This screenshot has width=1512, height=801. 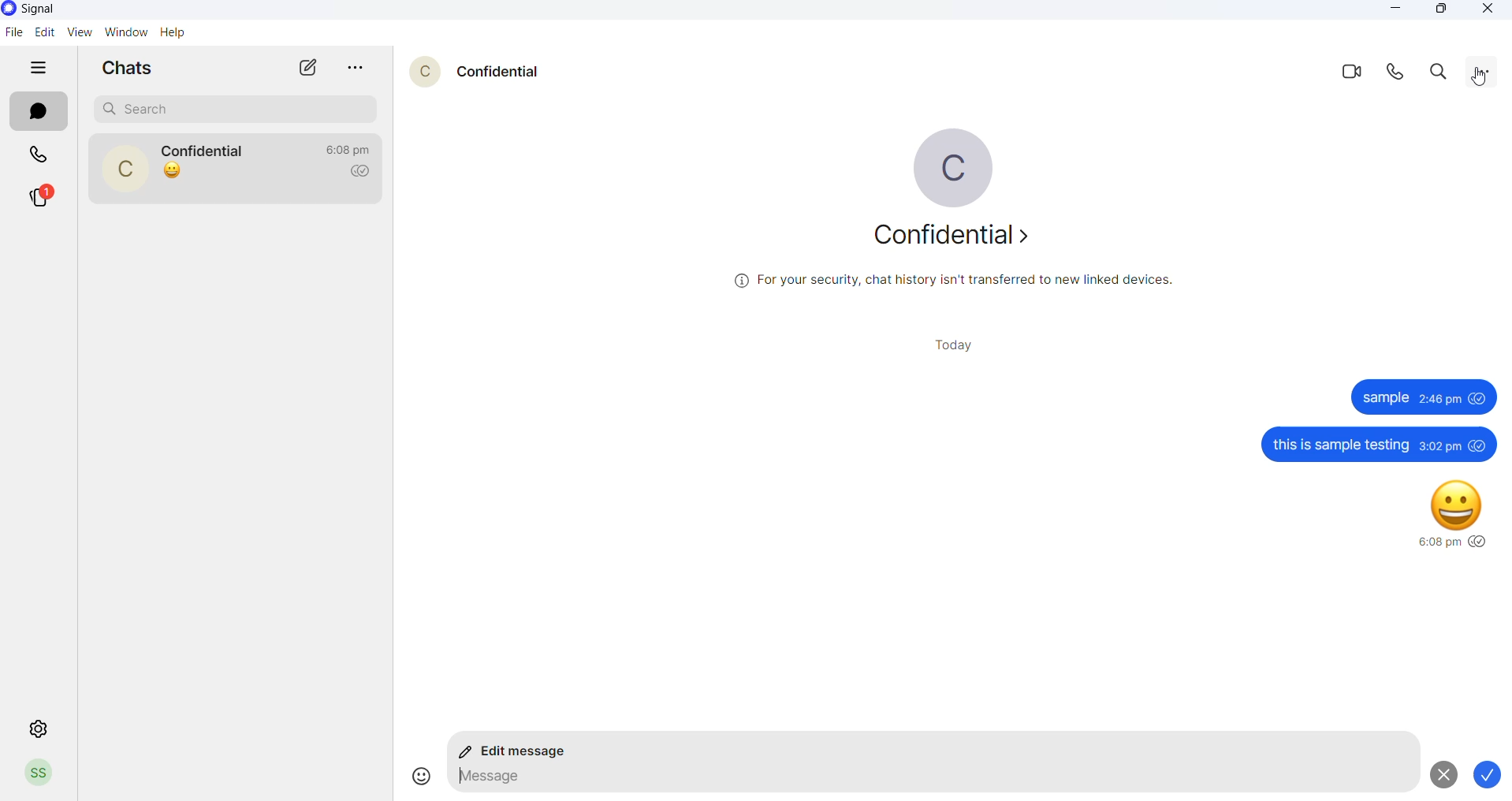 What do you see at coordinates (173, 172) in the screenshot?
I see `last message` at bounding box center [173, 172].